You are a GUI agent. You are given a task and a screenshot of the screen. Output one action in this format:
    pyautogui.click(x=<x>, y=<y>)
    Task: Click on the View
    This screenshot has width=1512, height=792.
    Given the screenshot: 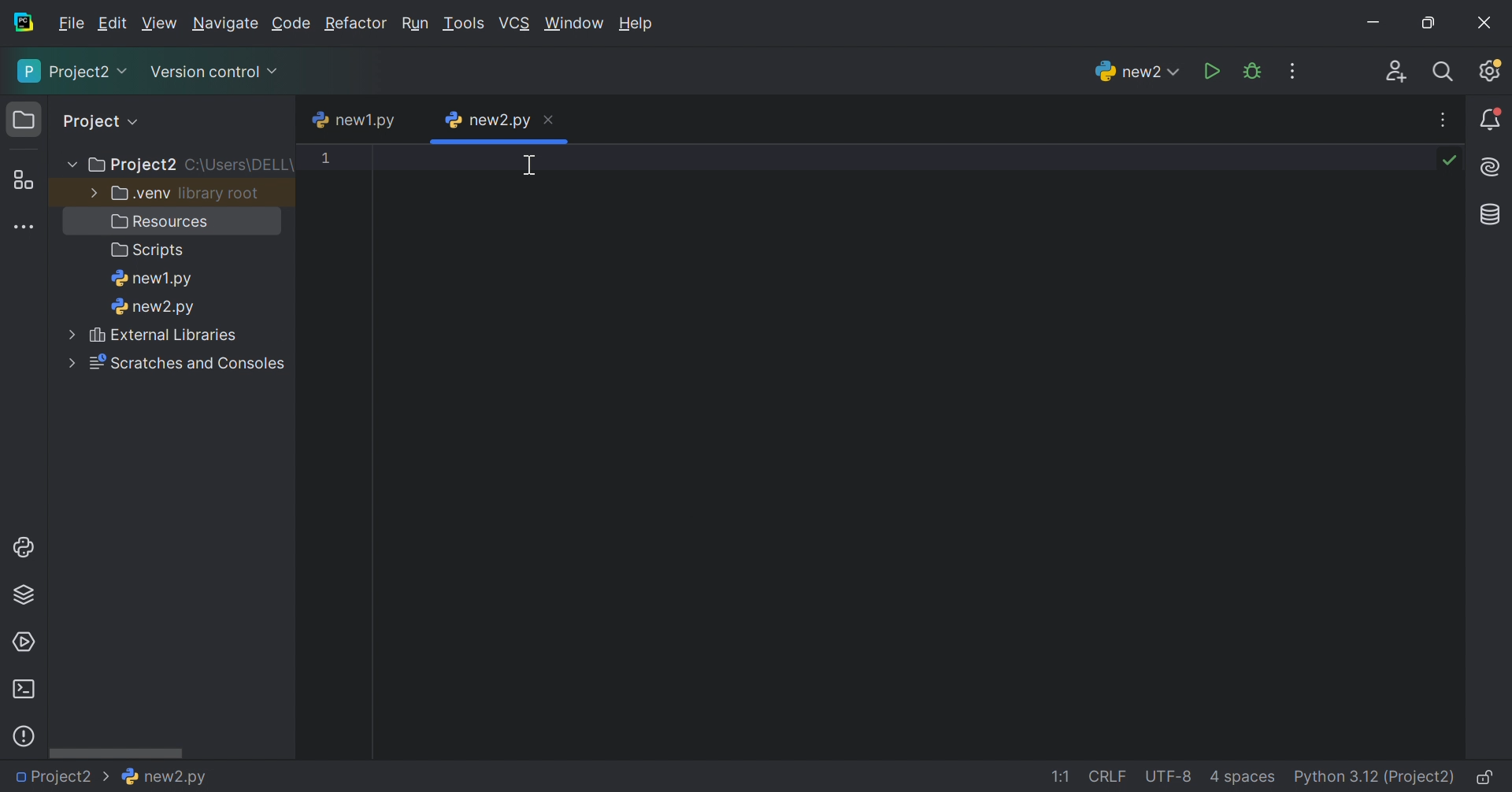 What is the action you would take?
    pyautogui.click(x=160, y=25)
    